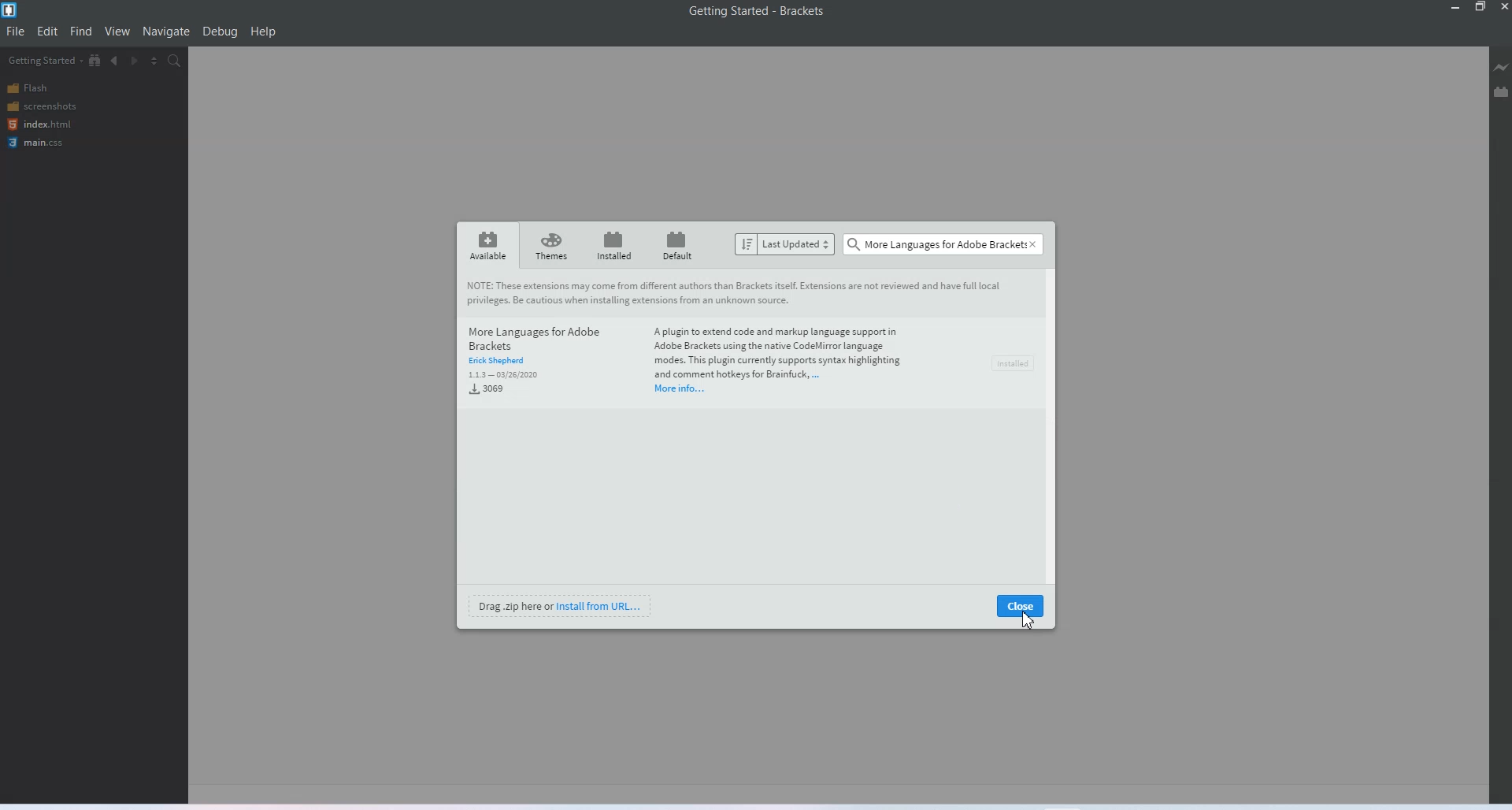 The height and width of the screenshot is (810, 1512). Describe the element at coordinates (263, 32) in the screenshot. I see `Help` at that location.